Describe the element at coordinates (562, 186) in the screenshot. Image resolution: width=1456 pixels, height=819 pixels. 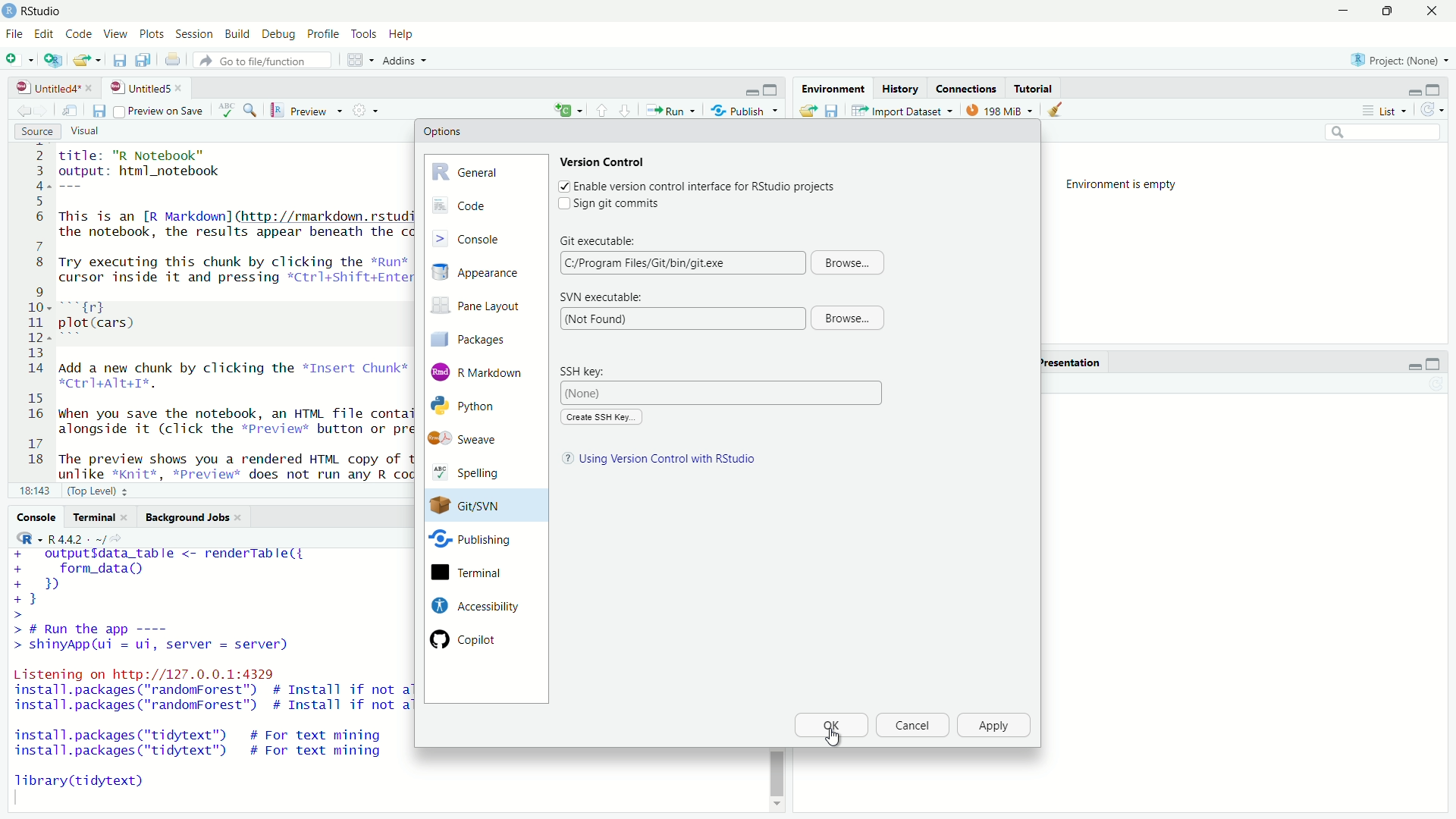
I see `check box` at that location.